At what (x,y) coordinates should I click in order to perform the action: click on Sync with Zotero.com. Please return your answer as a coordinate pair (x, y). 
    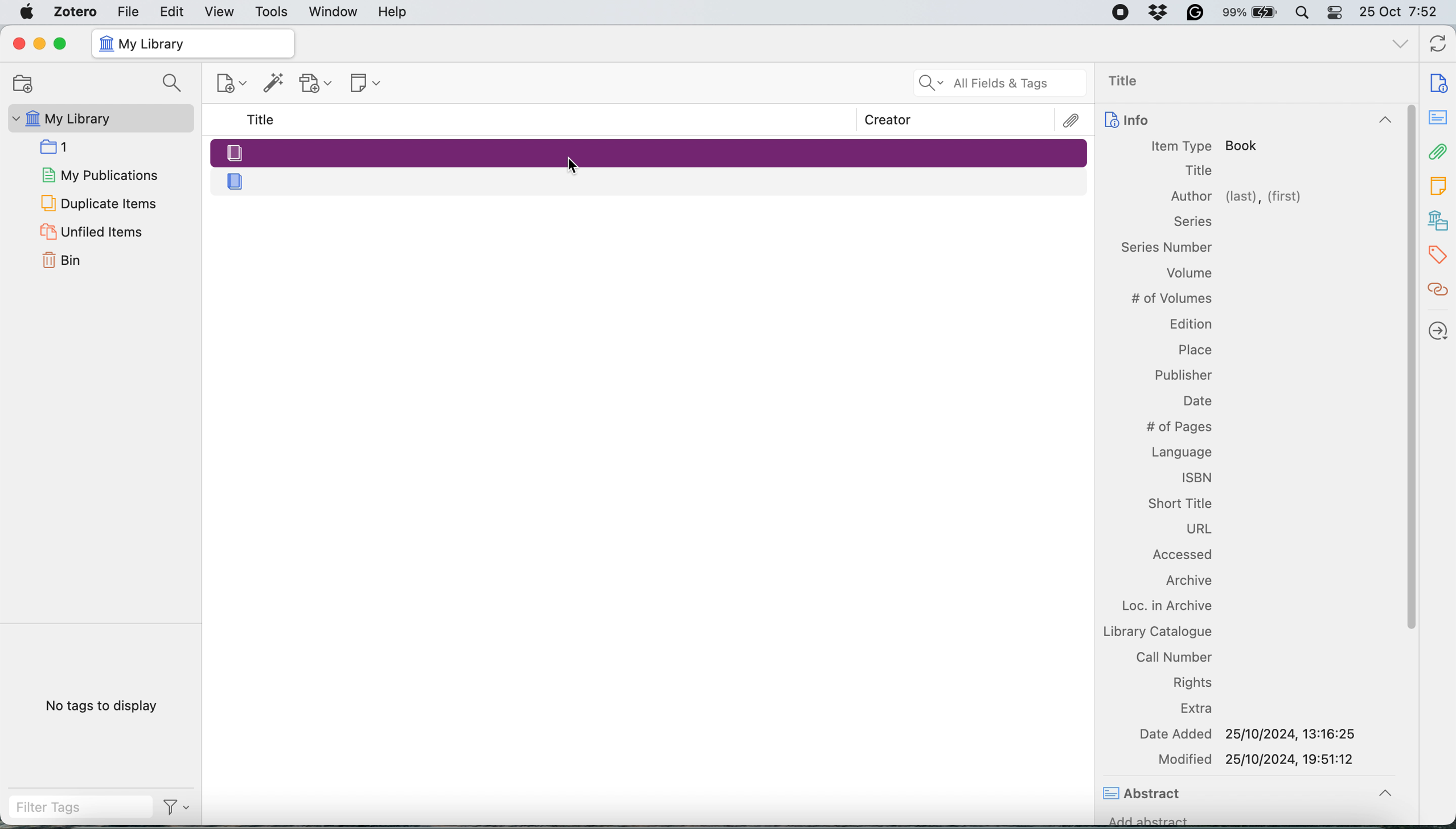
    Looking at the image, I should click on (1439, 46).